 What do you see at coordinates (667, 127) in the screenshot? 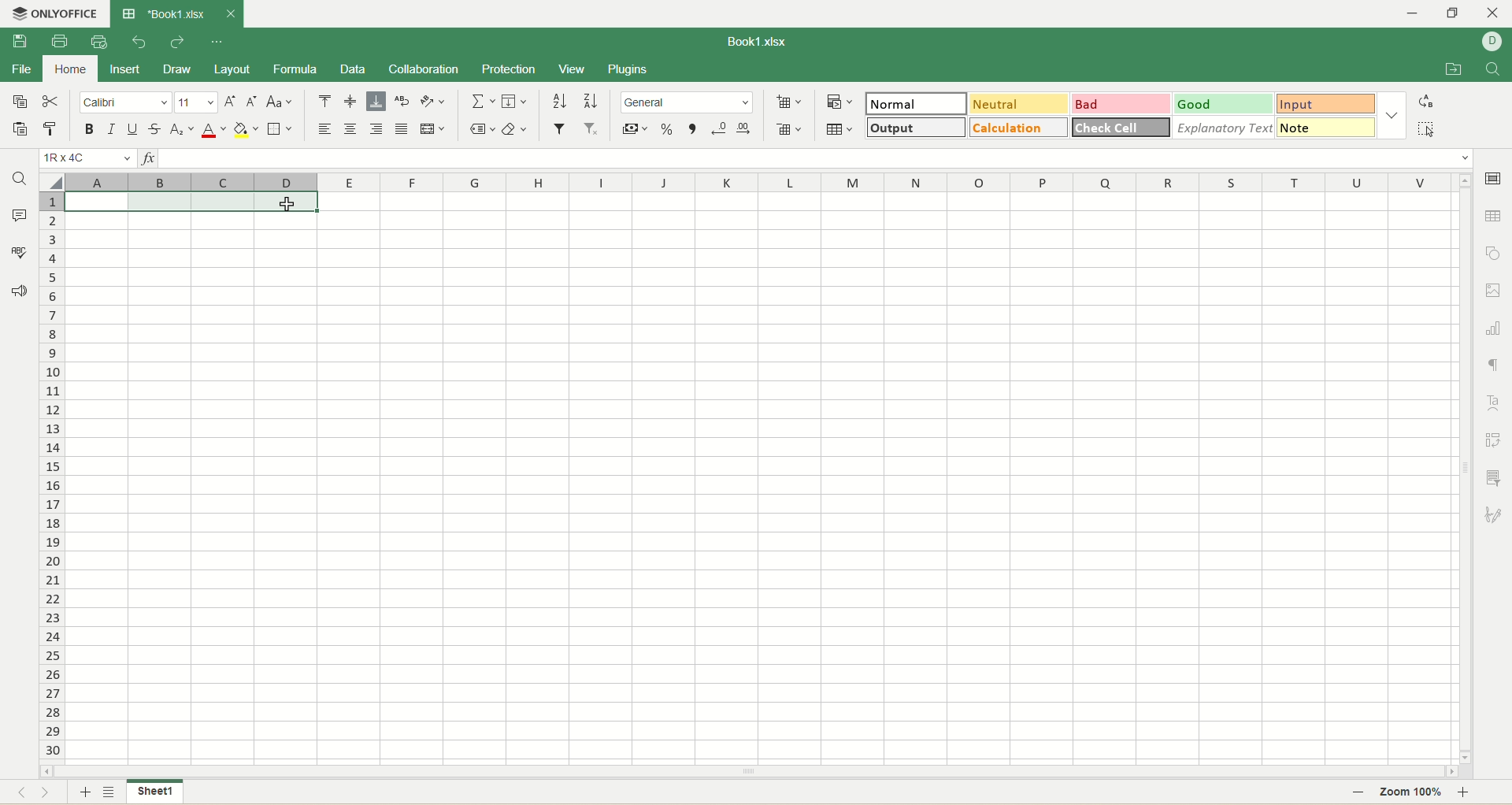
I see `percent format` at bounding box center [667, 127].